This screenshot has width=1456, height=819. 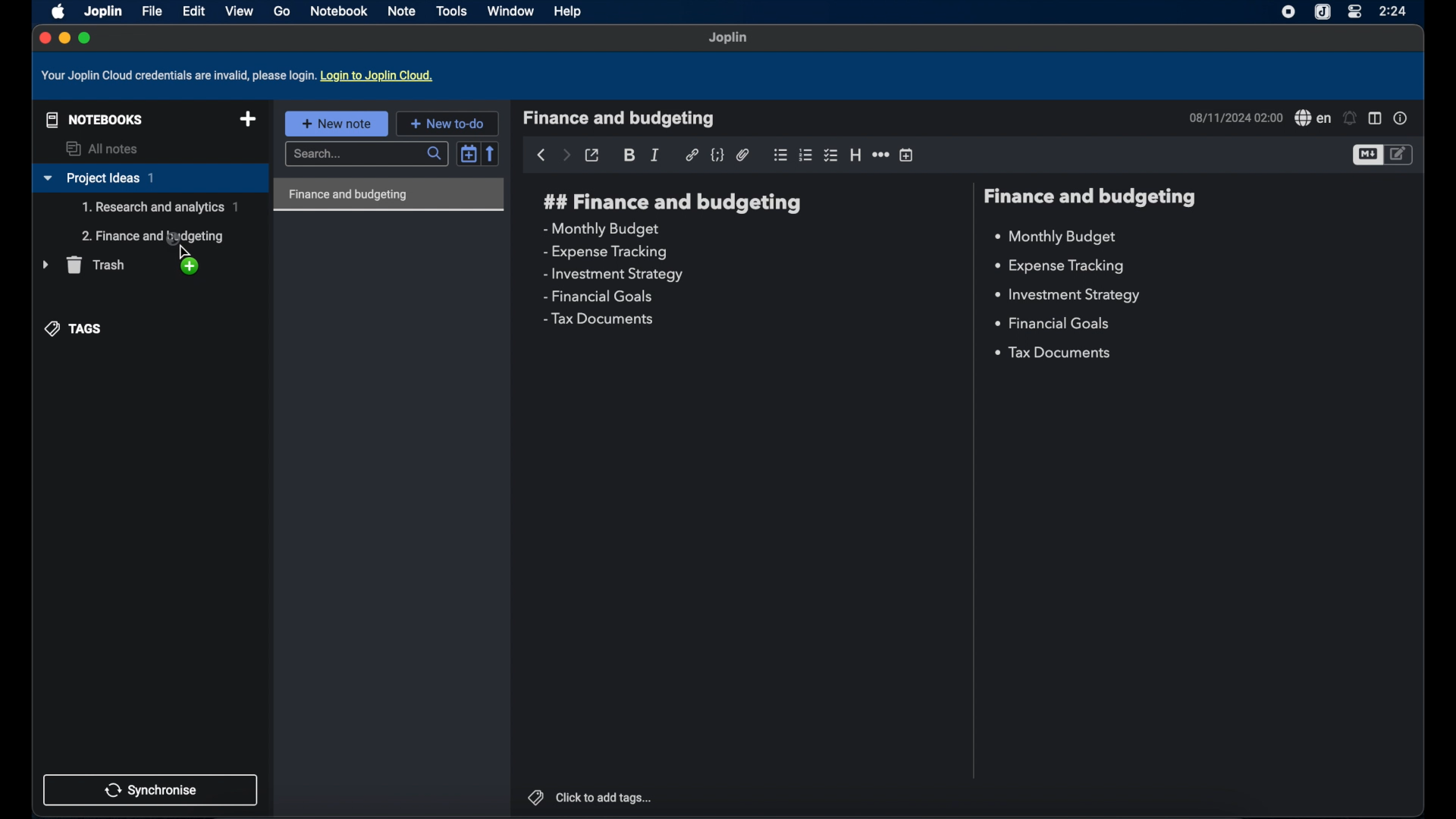 I want to click on tags, so click(x=75, y=328).